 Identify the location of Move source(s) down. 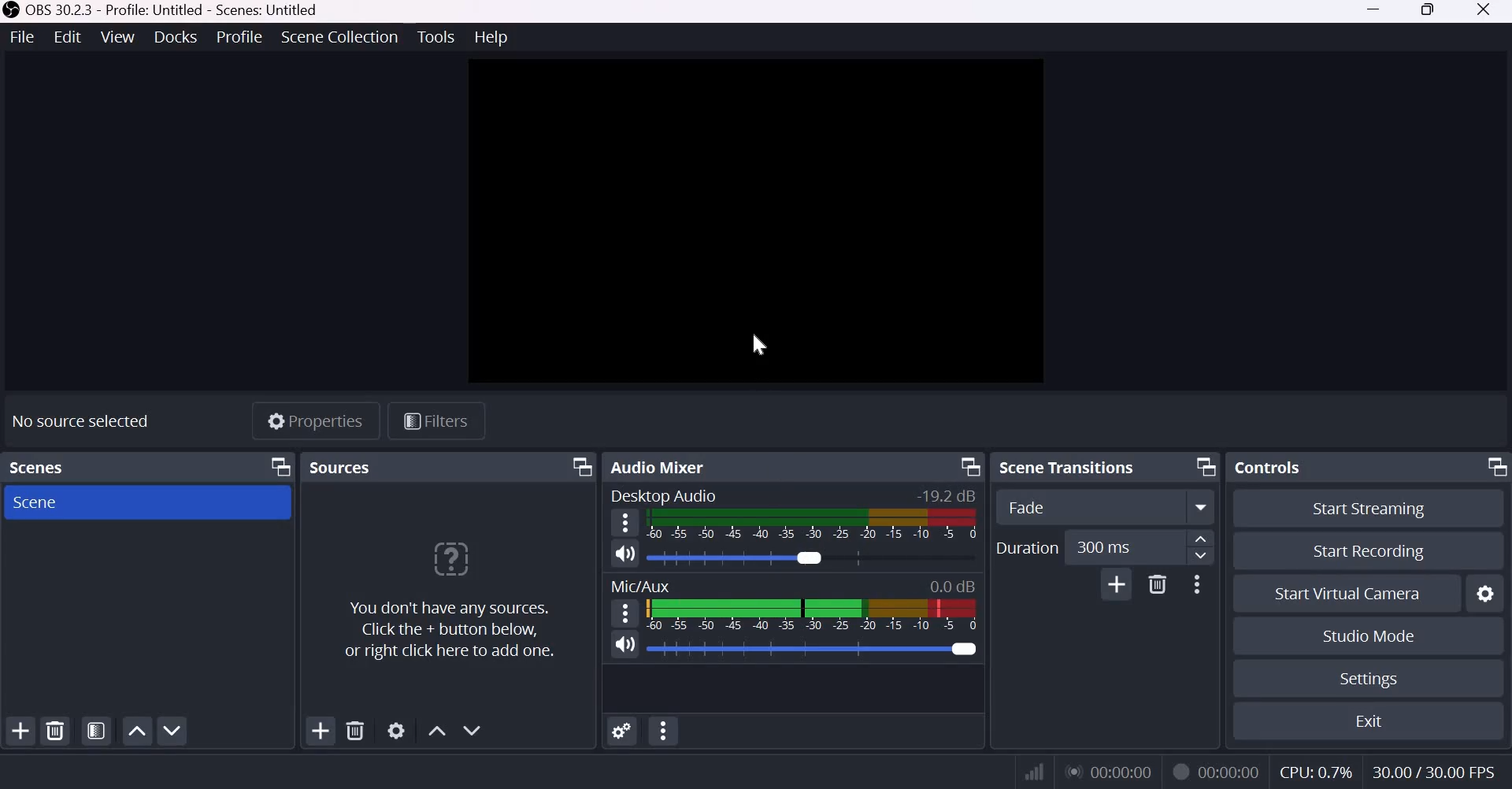
(472, 728).